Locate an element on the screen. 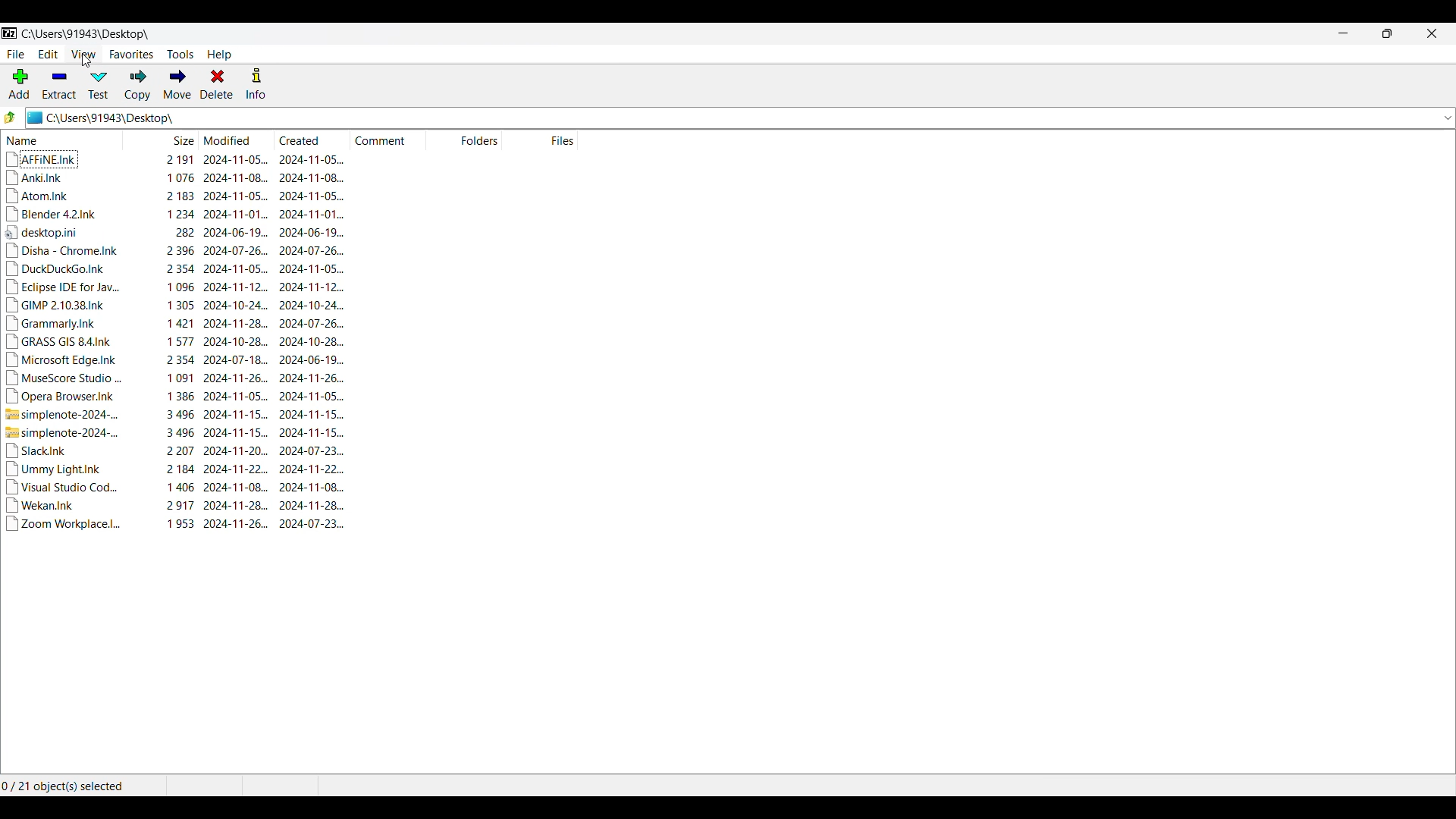 The height and width of the screenshot is (819, 1456). desktop.ini 282 2024-06-19... 2024-06-19... is located at coordinates (177, 231).